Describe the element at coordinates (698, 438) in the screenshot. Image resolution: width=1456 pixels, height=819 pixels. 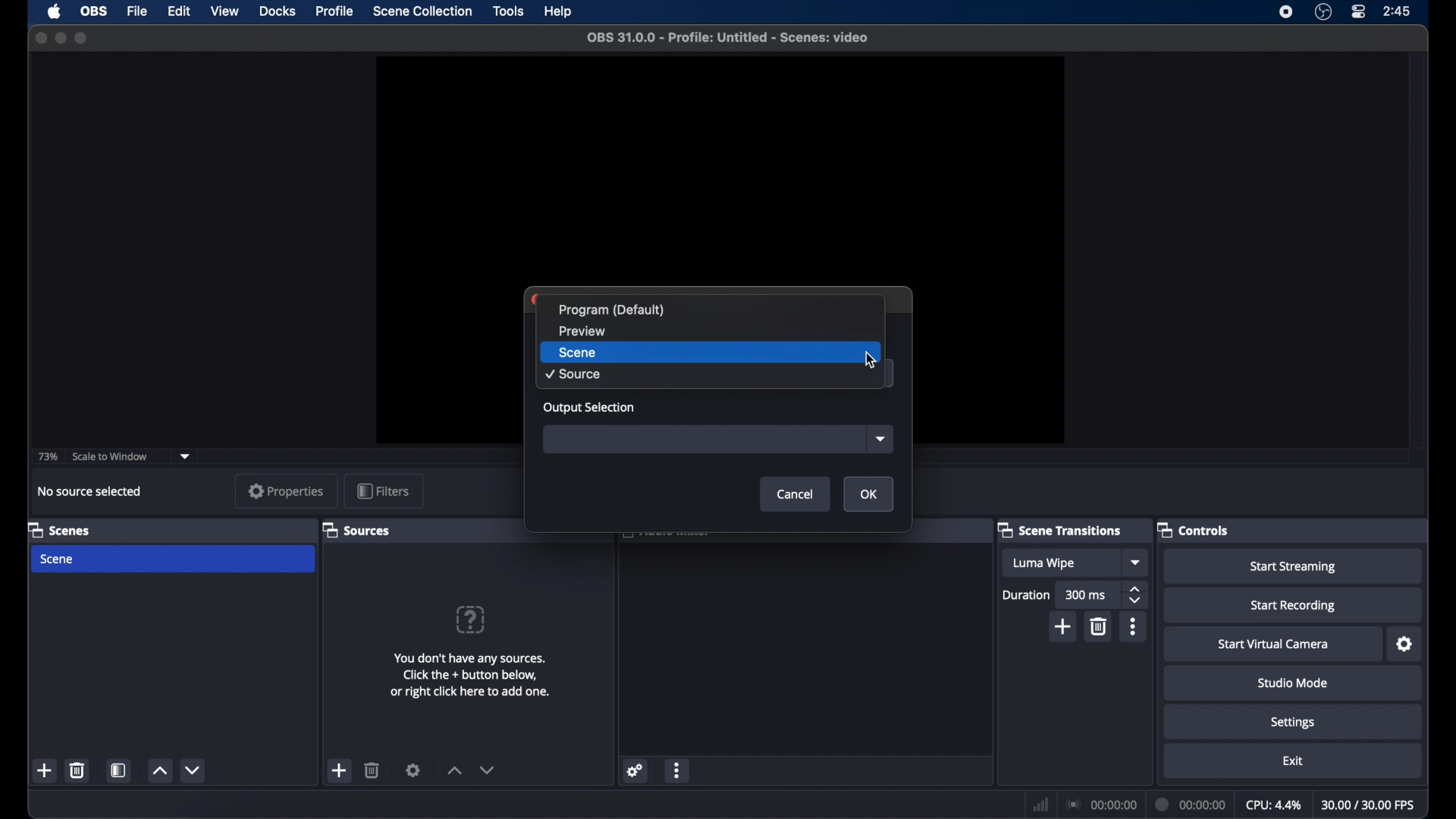
I see `Input box` at that location.